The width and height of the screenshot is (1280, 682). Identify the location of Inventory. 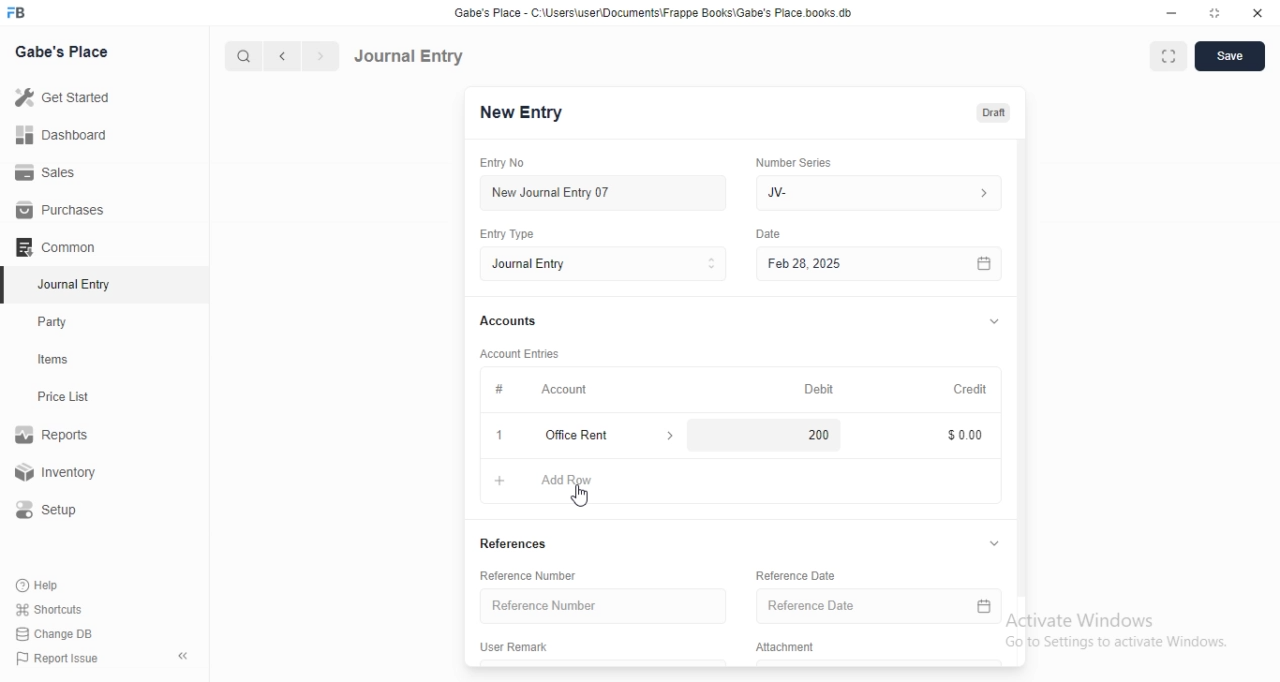
(59, 474).